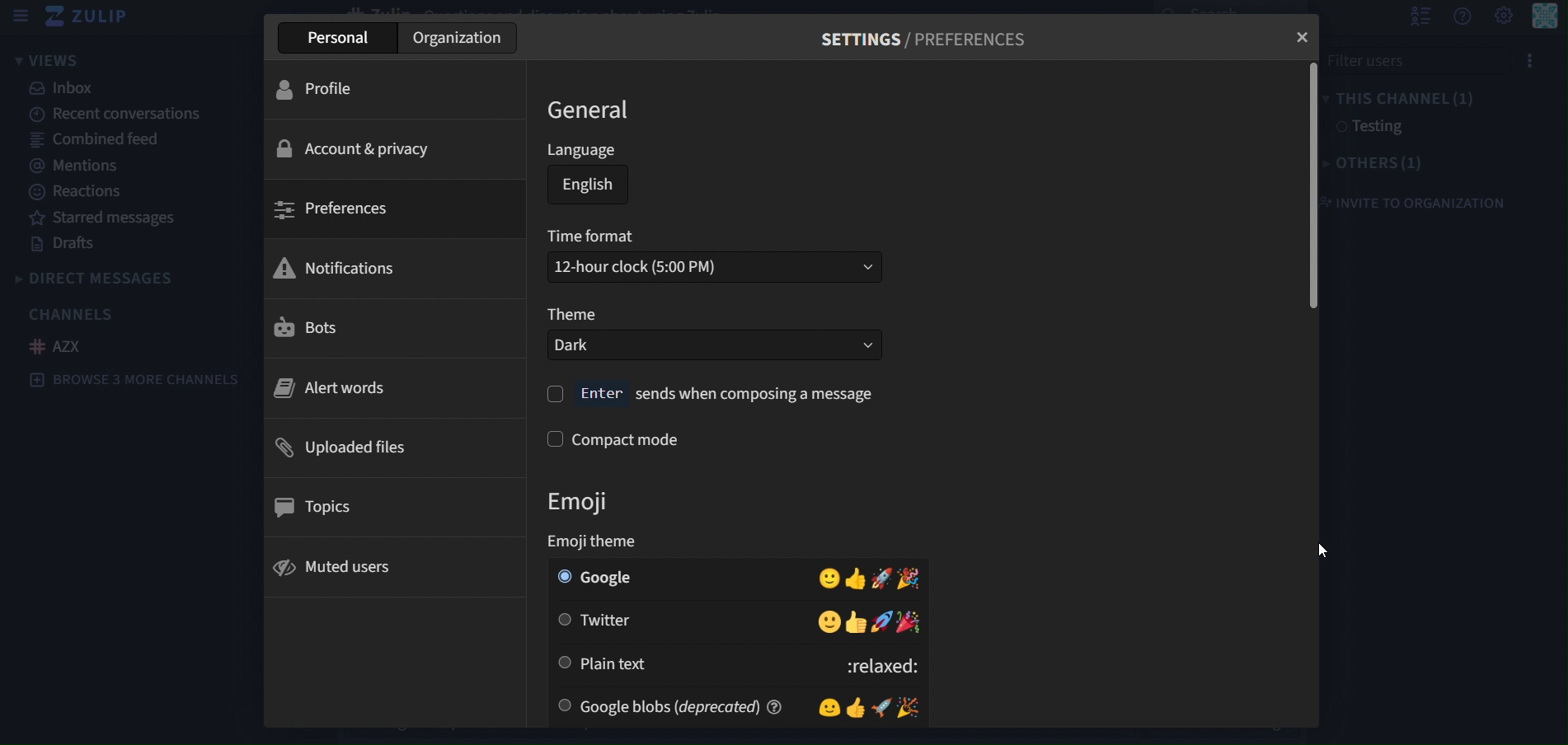 This screenshot has height=745, width=1568. I want to click on Emojis, so click(864, 707).